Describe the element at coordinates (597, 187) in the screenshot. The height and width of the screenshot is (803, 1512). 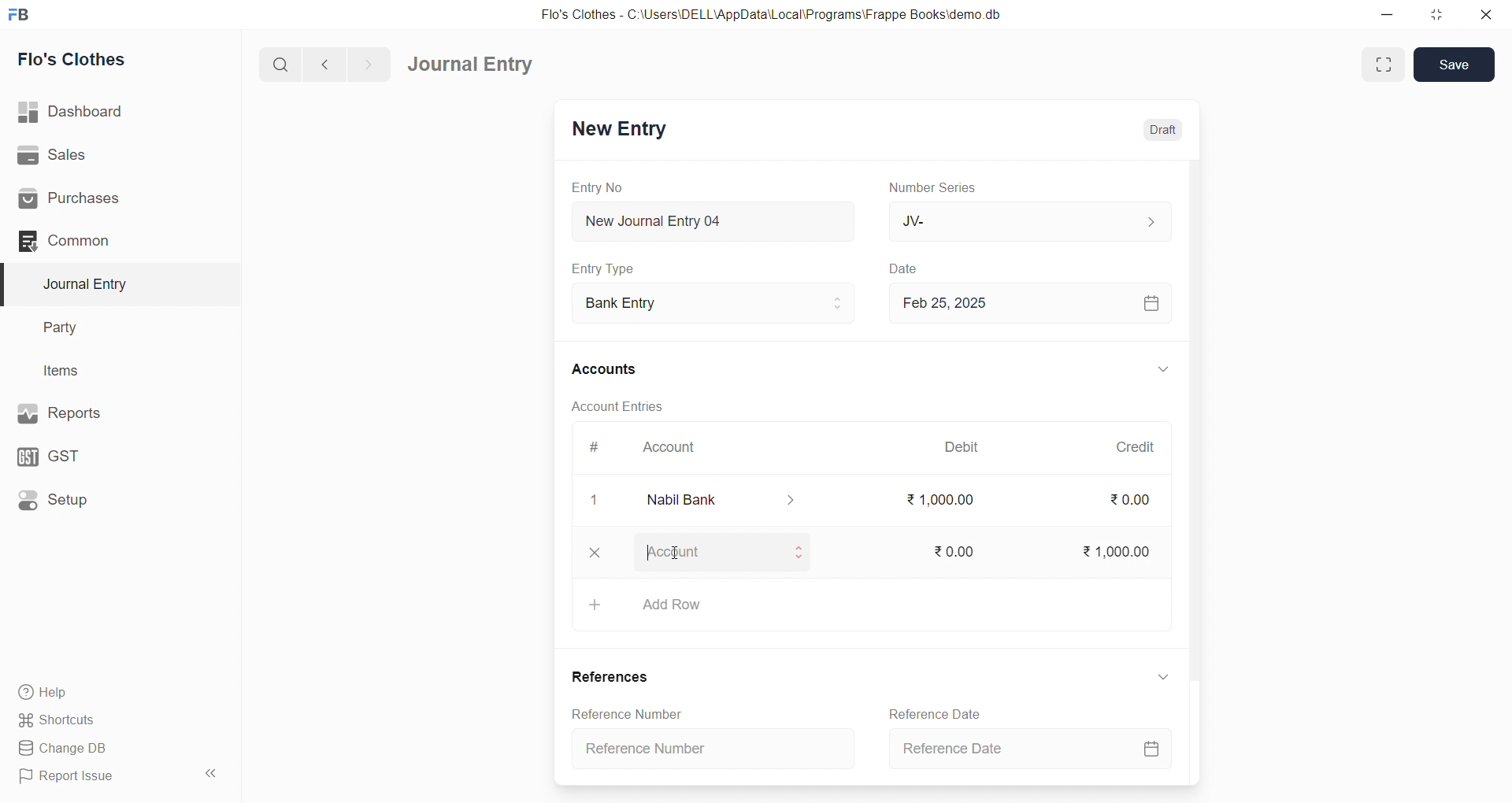
I see `Entry No.` at that location.